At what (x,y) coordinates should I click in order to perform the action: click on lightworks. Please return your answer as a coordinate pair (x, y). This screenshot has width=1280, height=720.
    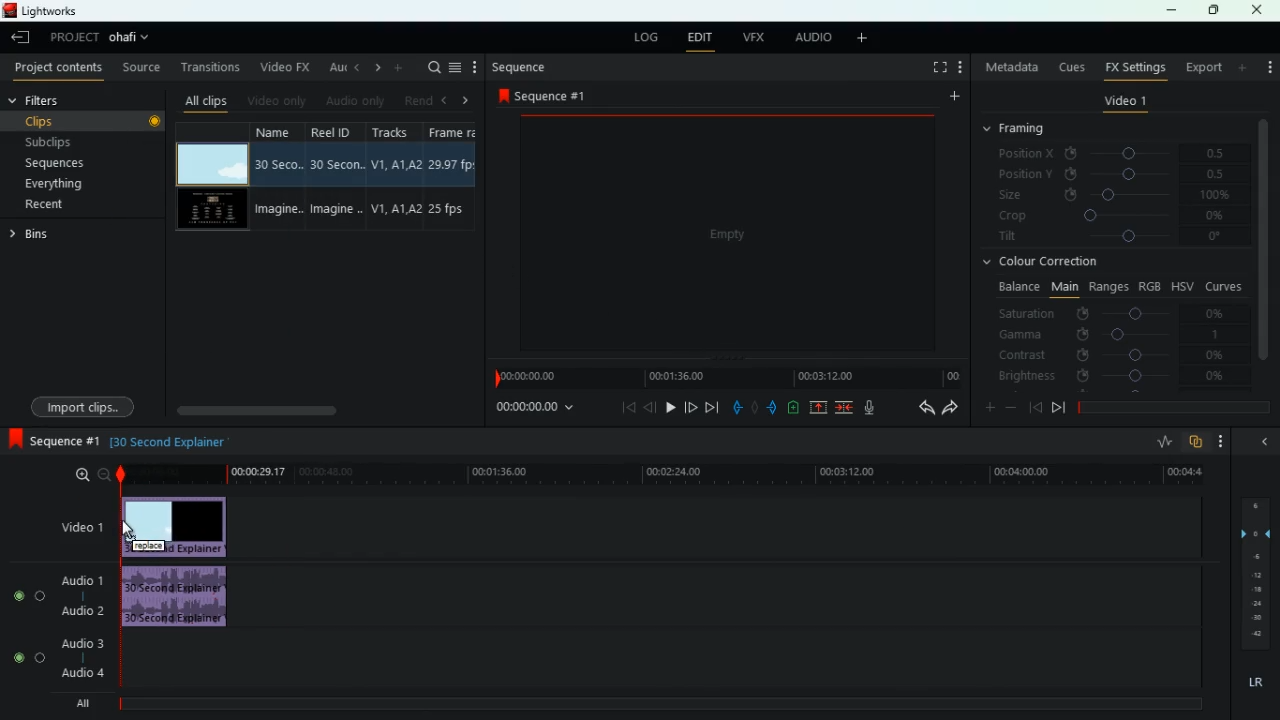
    Looking at the image, I should click on (42, 10).